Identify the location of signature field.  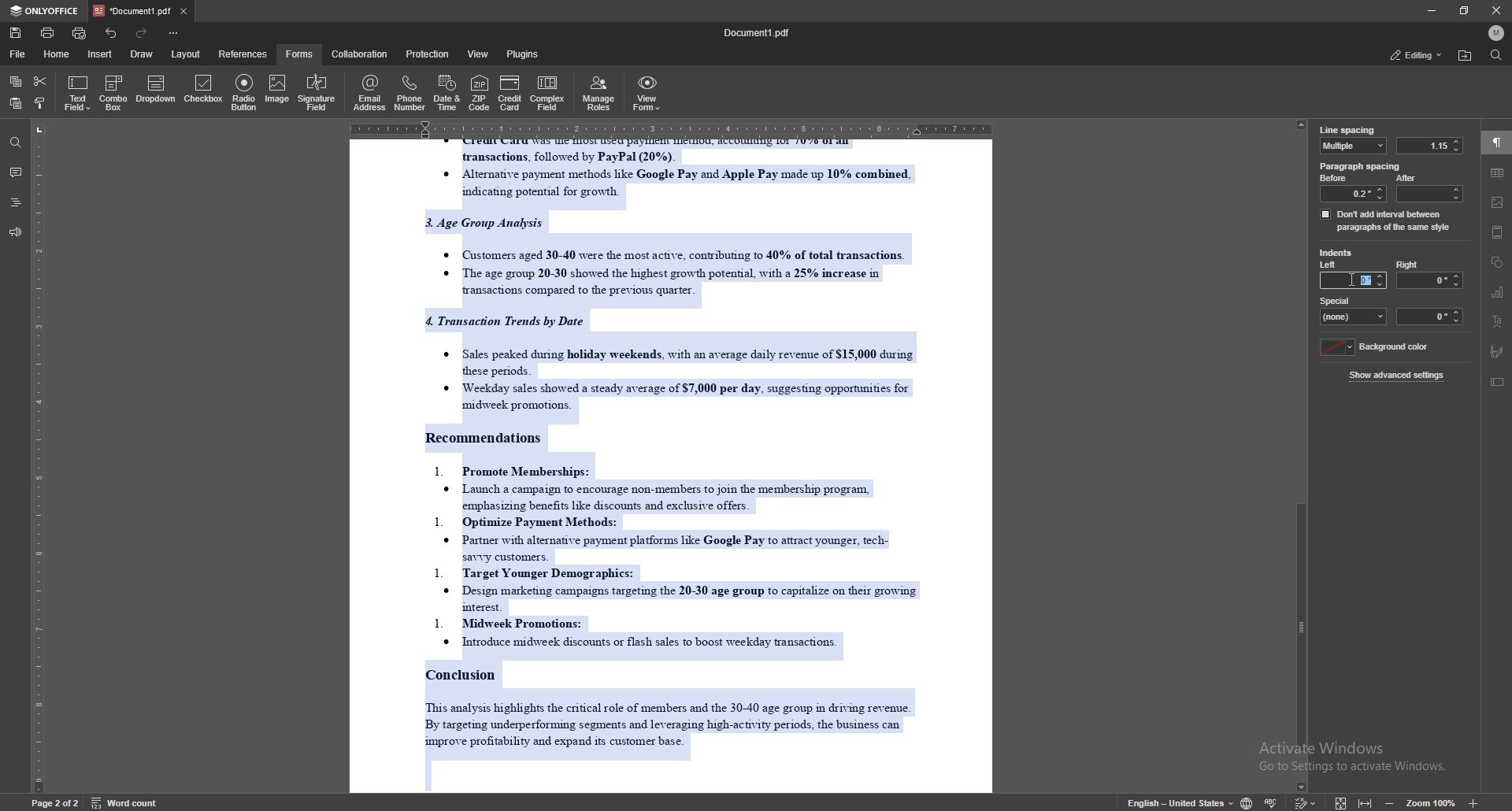
(1498, 352).